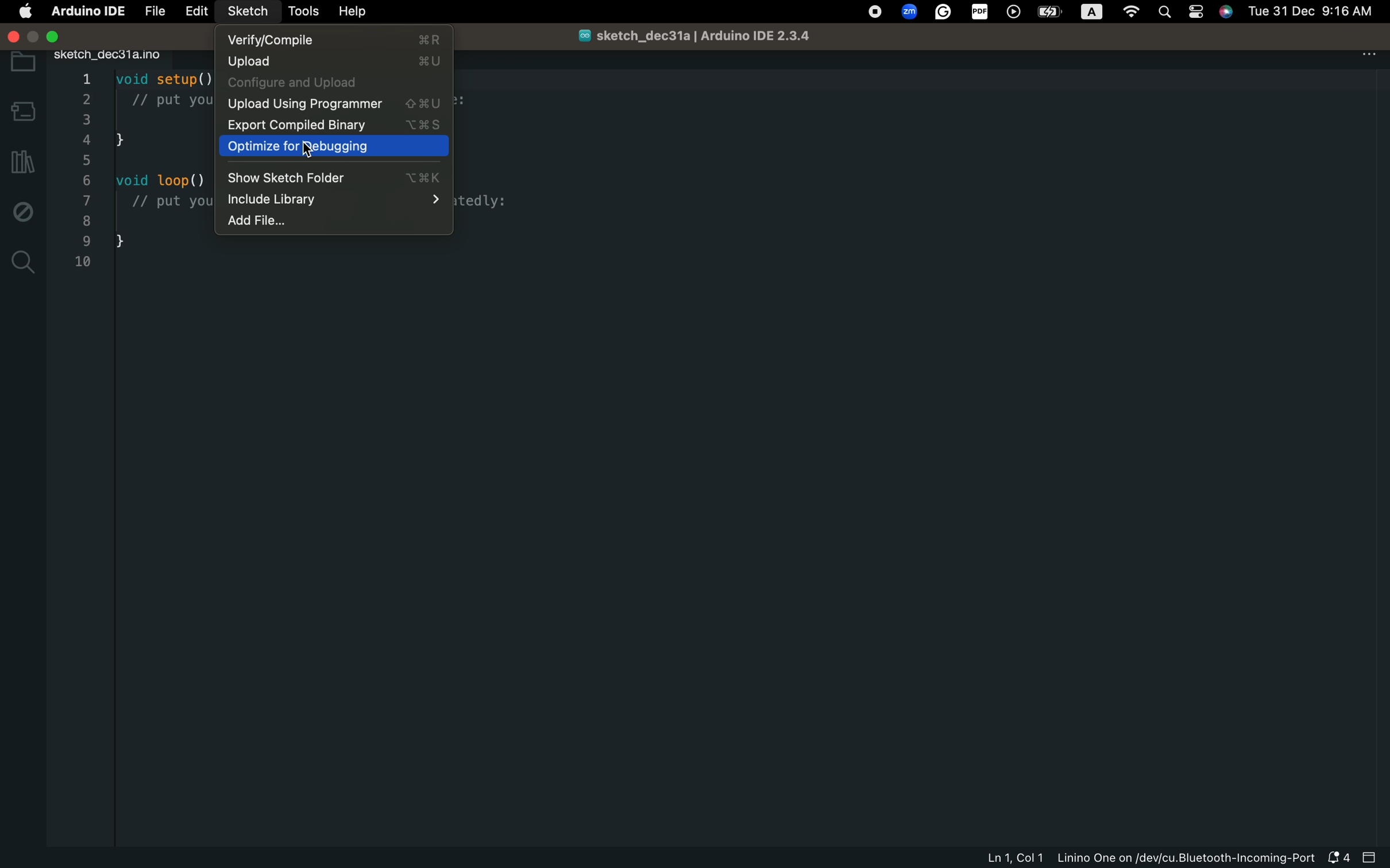  What do you see at coordinates (333, 106) in the screenshot?
I see `upload using` at bounding box center [333, 106].